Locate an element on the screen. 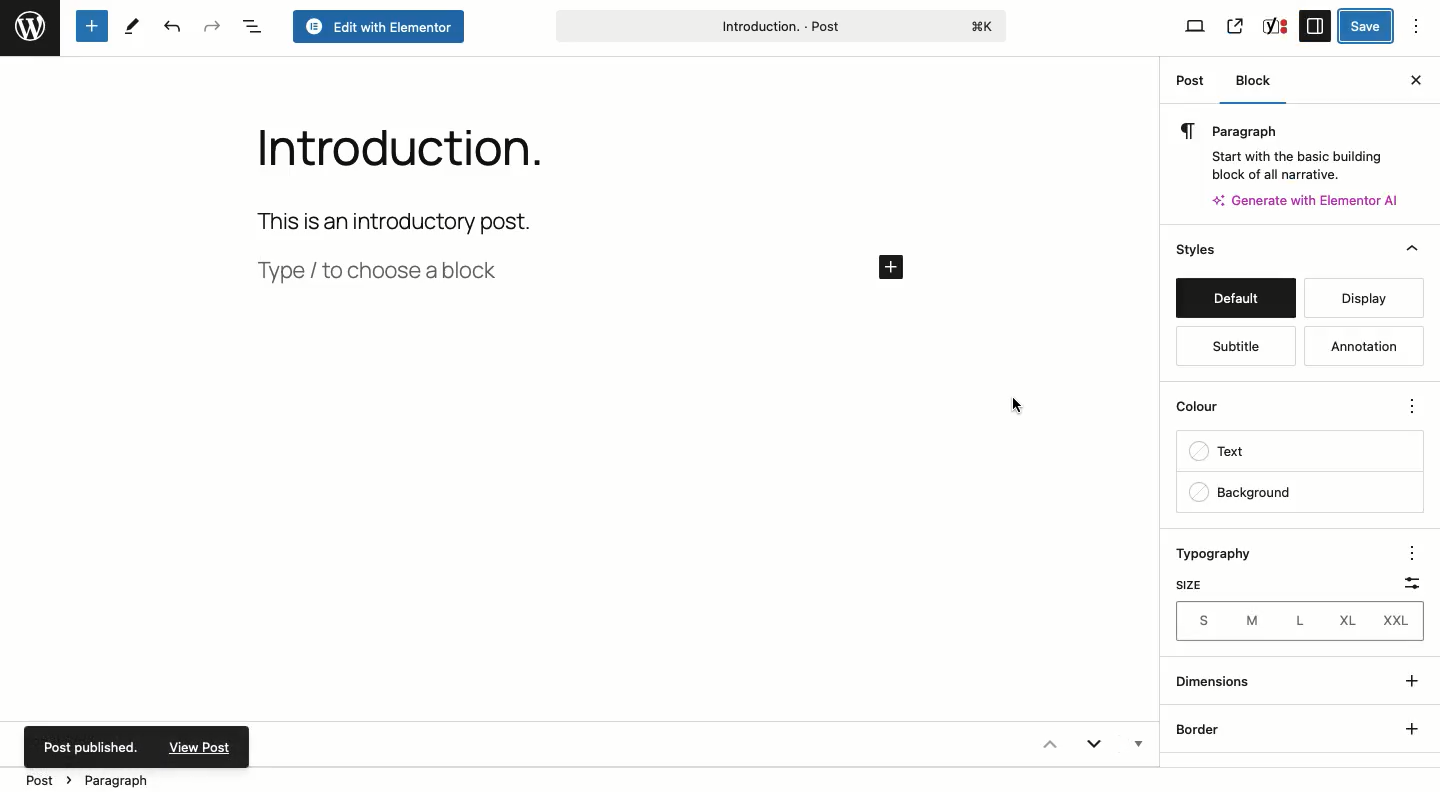  Add new post is located at coordinates (894, 266).